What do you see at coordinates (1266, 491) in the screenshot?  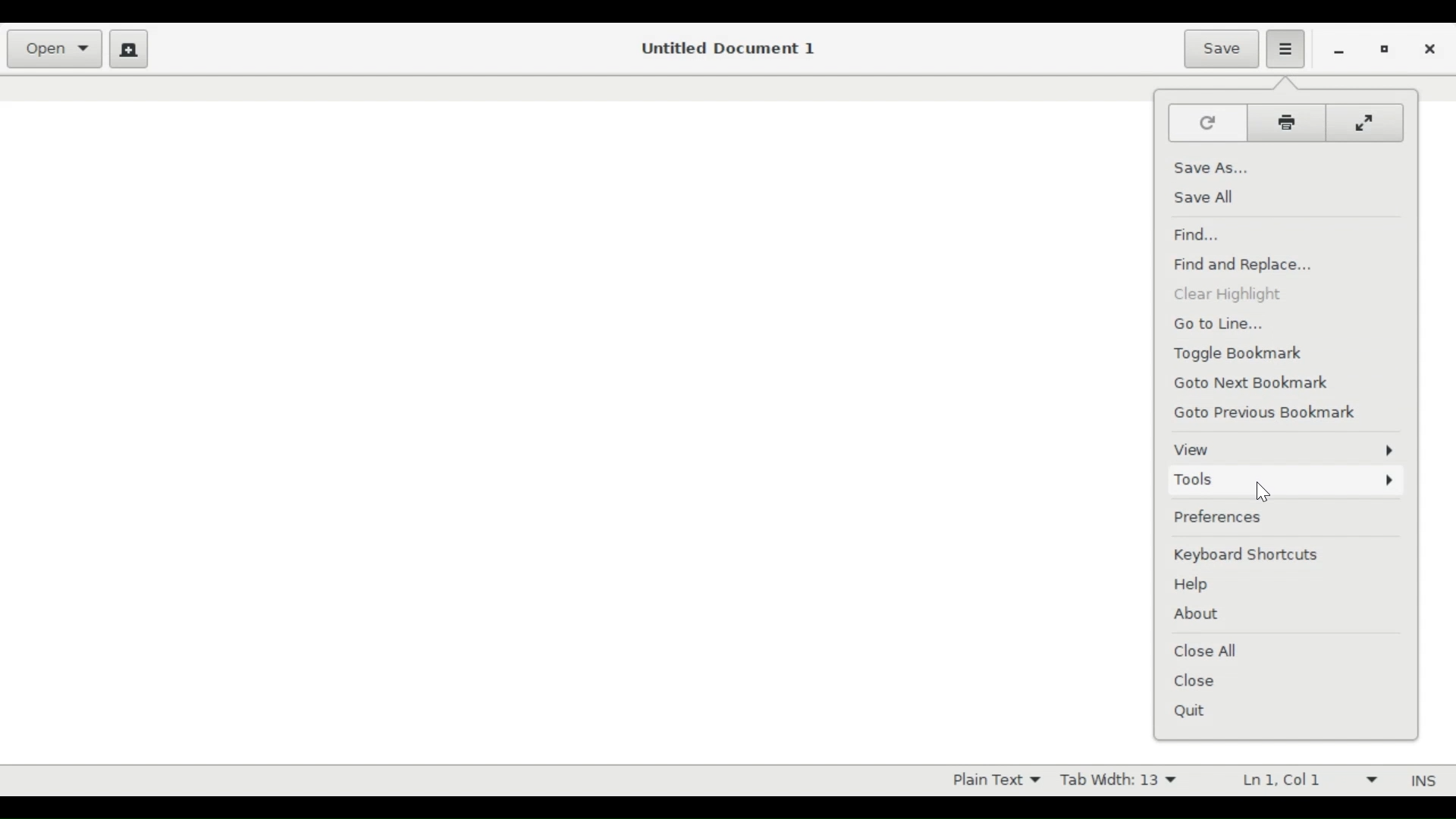 I see `Cursor` at bounding box center [1266, 491].